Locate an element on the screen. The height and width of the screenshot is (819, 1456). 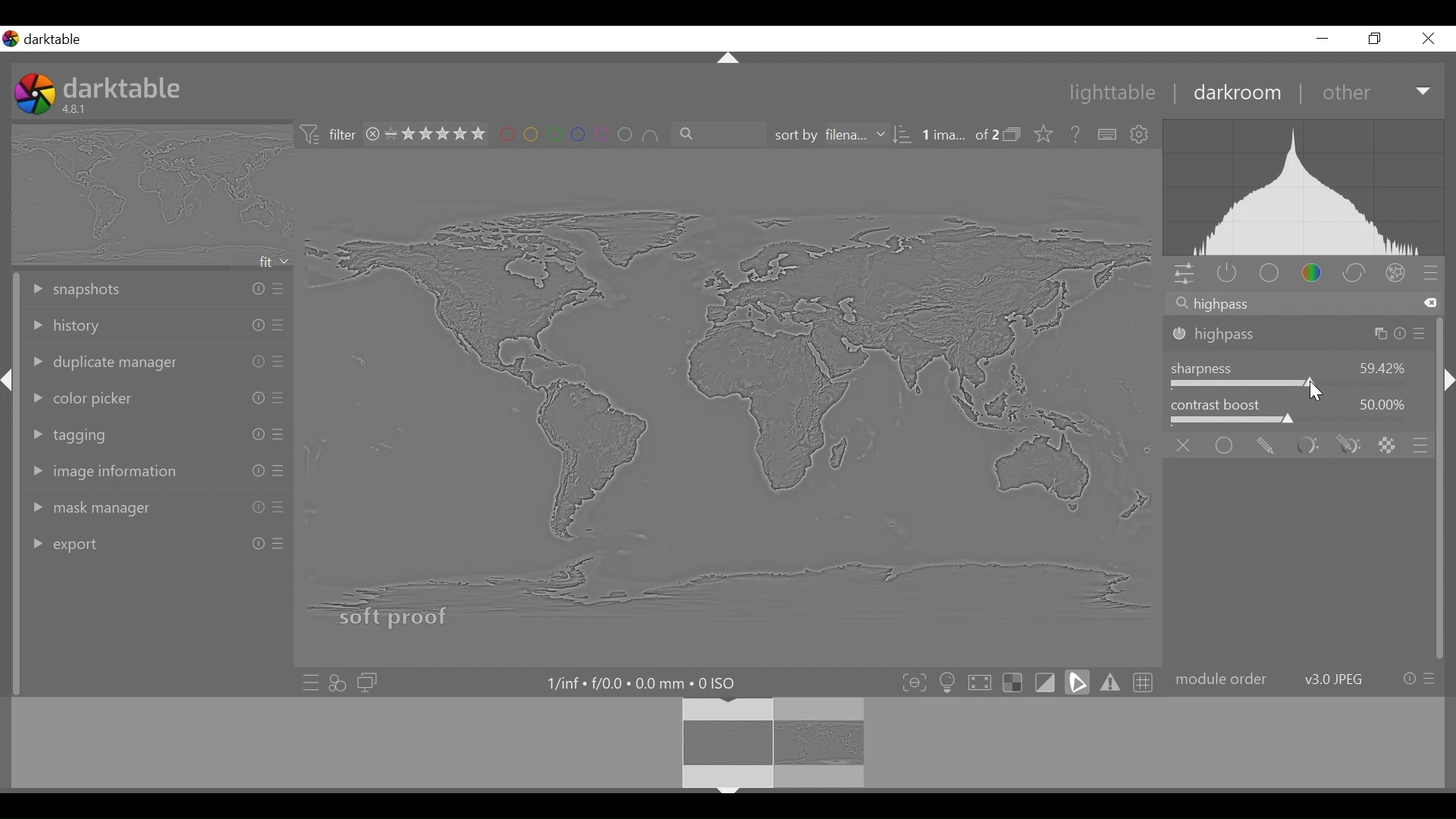
close is located at coordinates (371, 134).